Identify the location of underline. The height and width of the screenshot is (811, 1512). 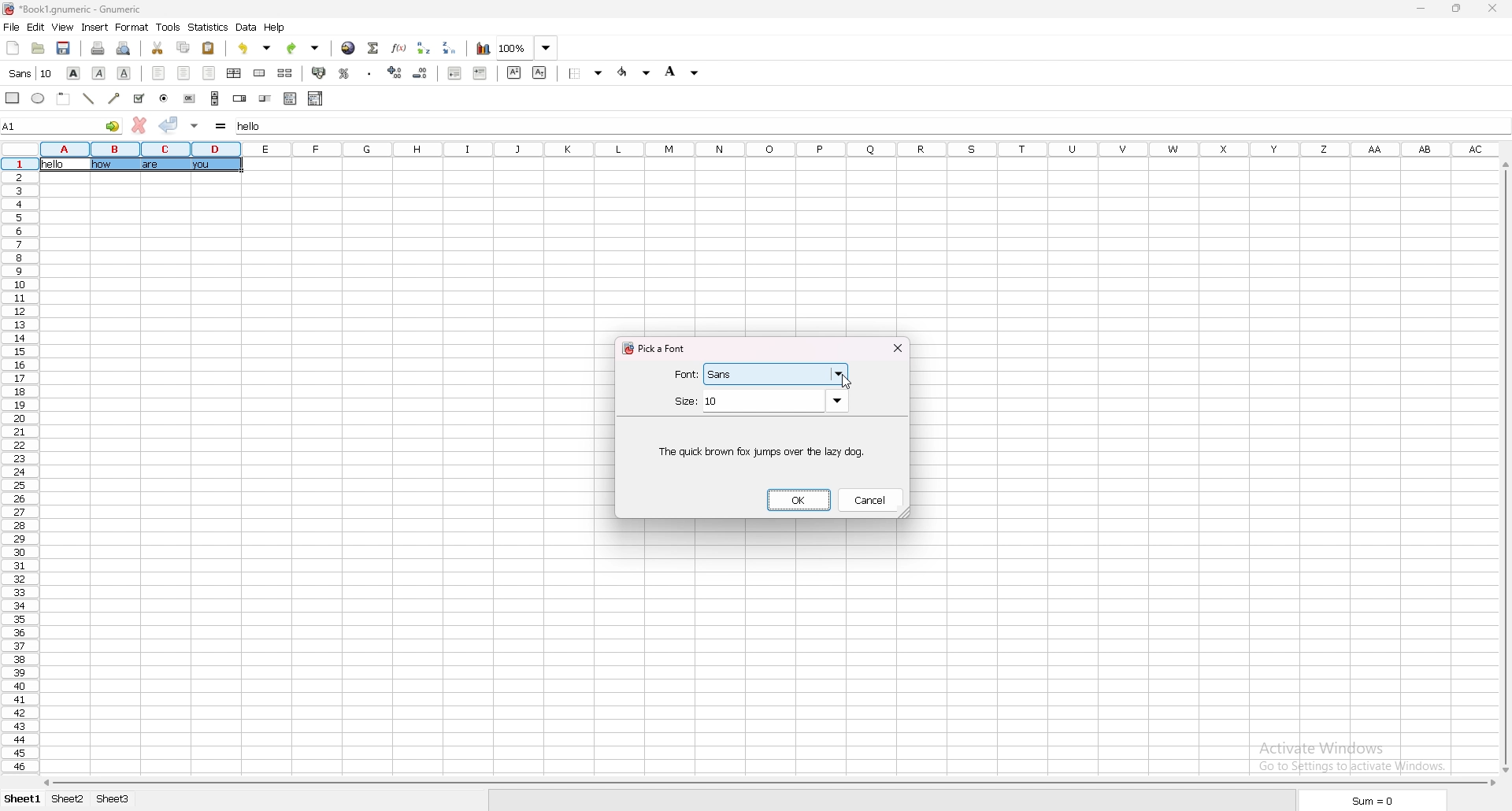
(124, 72).